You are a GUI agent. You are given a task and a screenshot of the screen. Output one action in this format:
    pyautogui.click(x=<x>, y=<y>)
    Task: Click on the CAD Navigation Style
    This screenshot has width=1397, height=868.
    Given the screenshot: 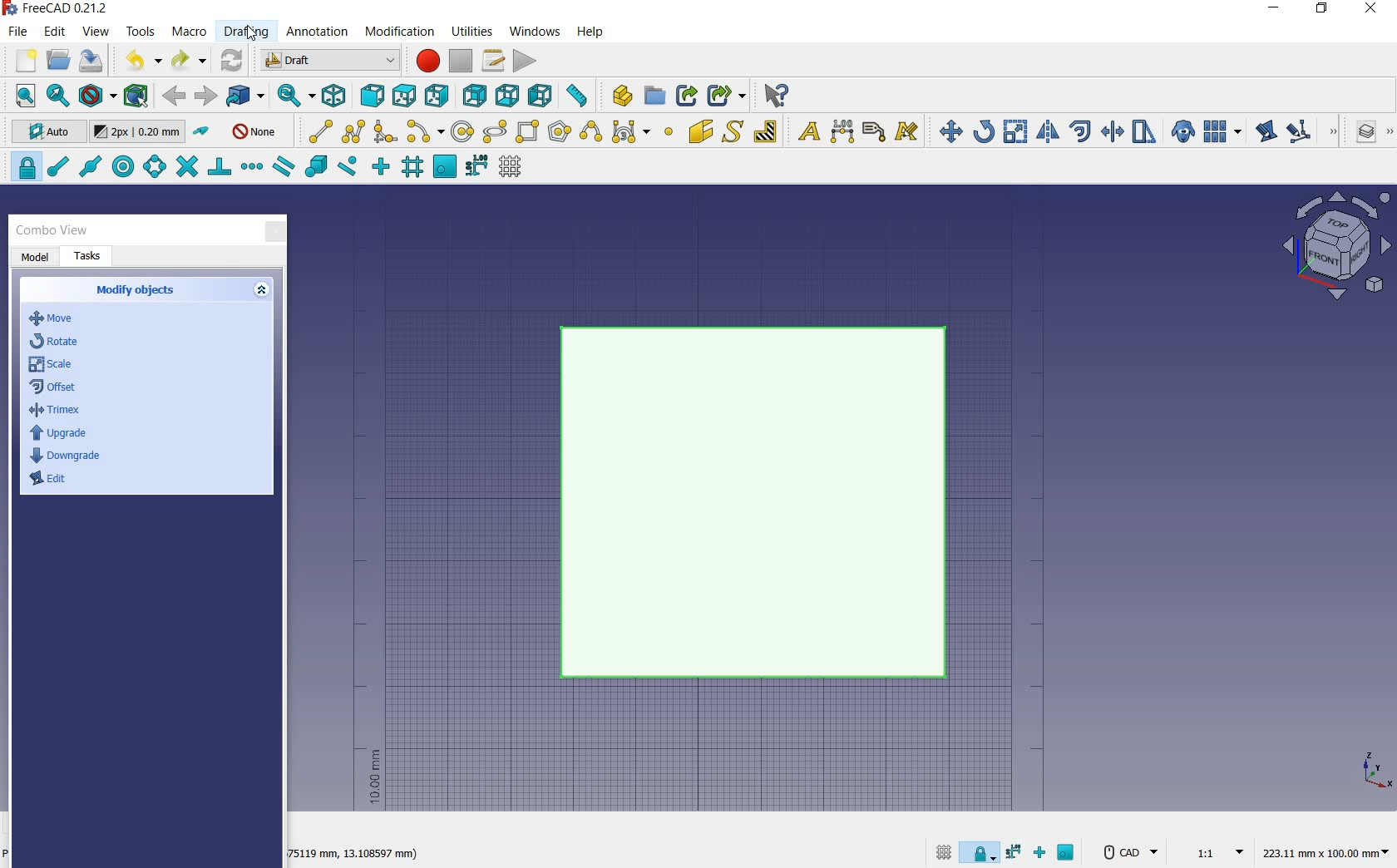 What is the action you would take?
    pyautogui.click(x=1128, y=852)
    